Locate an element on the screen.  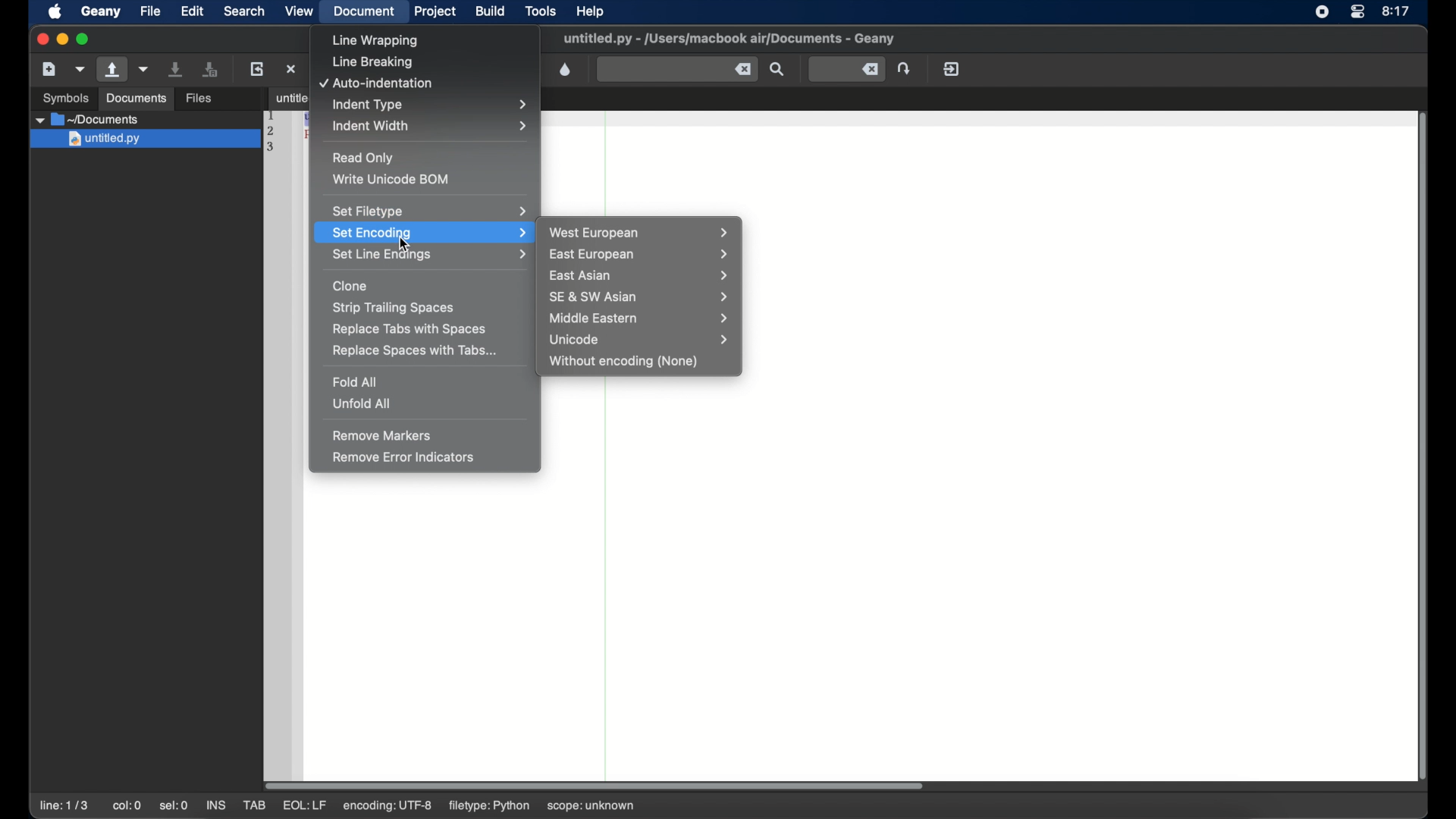
screen recorder icon is located at coordinates (1321, 12).